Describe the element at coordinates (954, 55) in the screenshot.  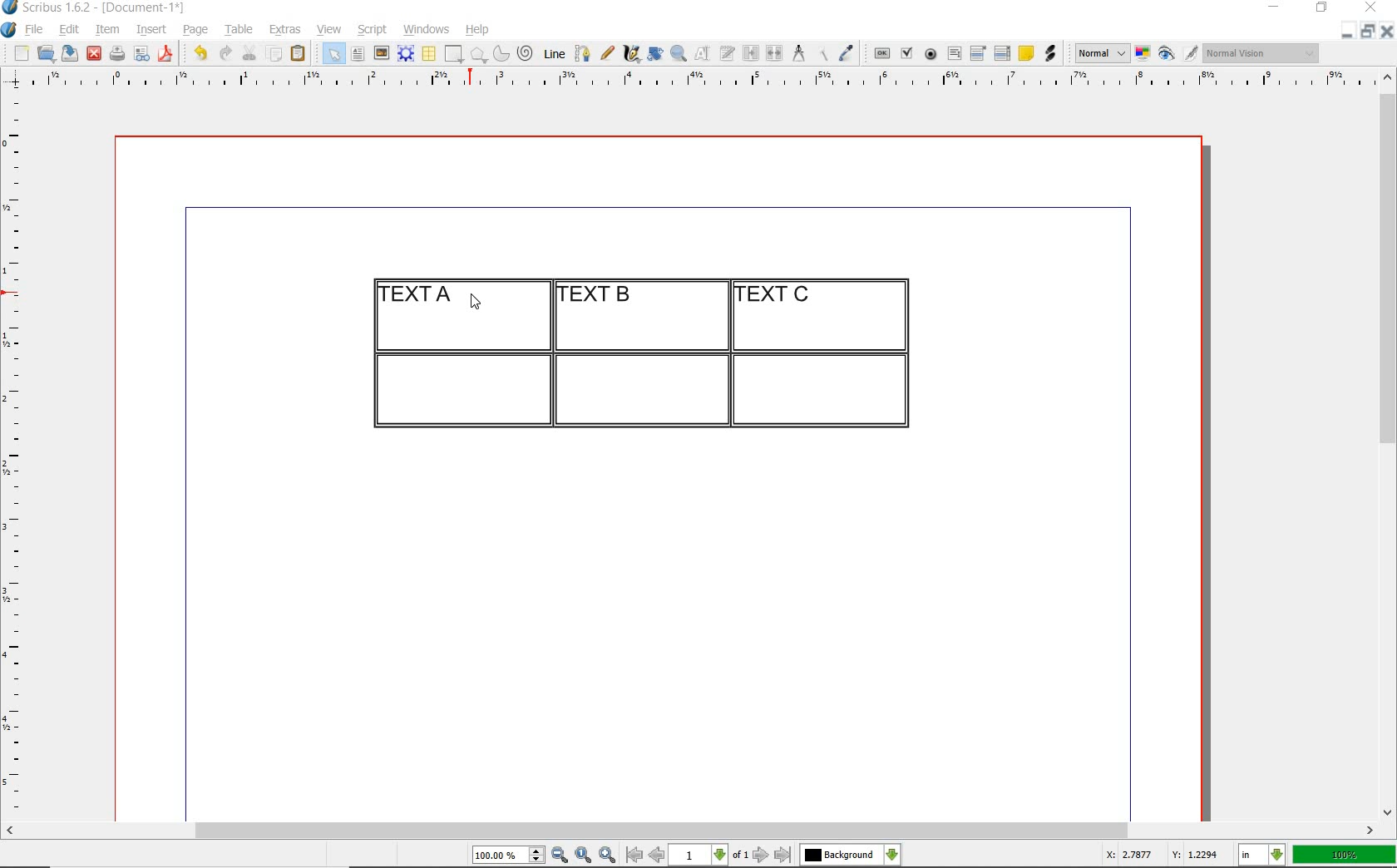
I see `pdf text field` at that location.